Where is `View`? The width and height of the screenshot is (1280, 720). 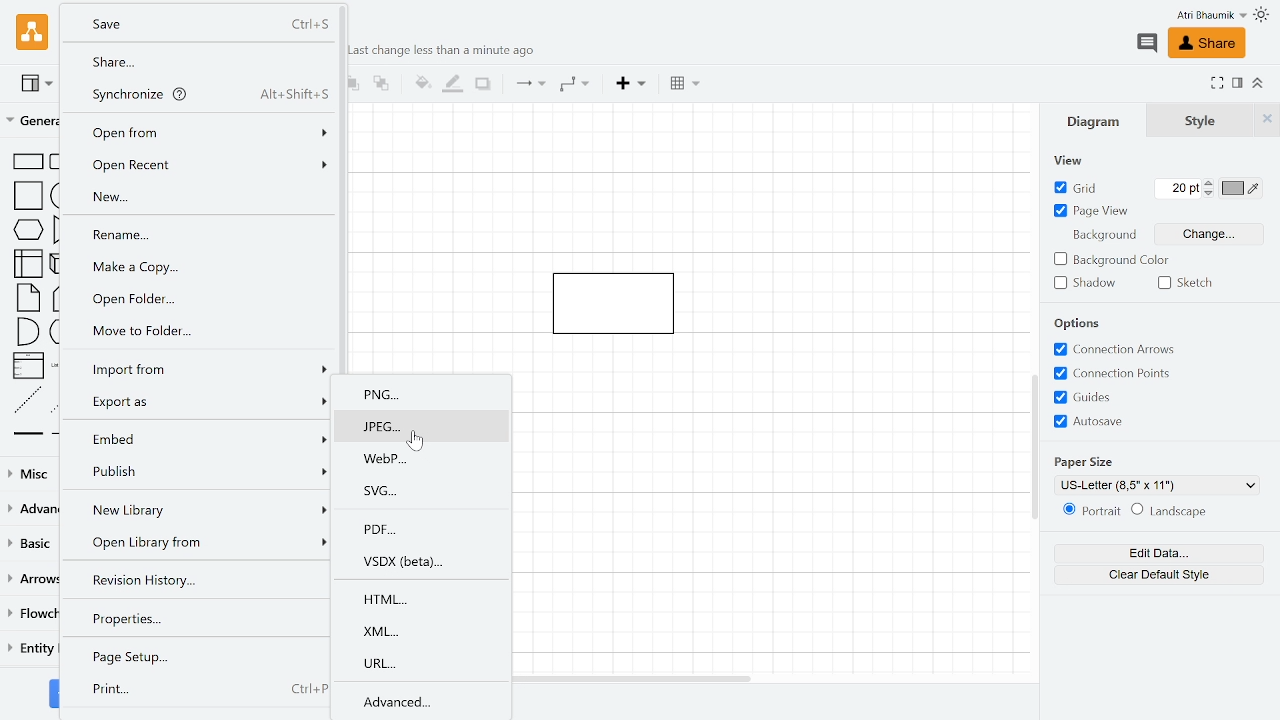
View is located at coordinates (38, 86).